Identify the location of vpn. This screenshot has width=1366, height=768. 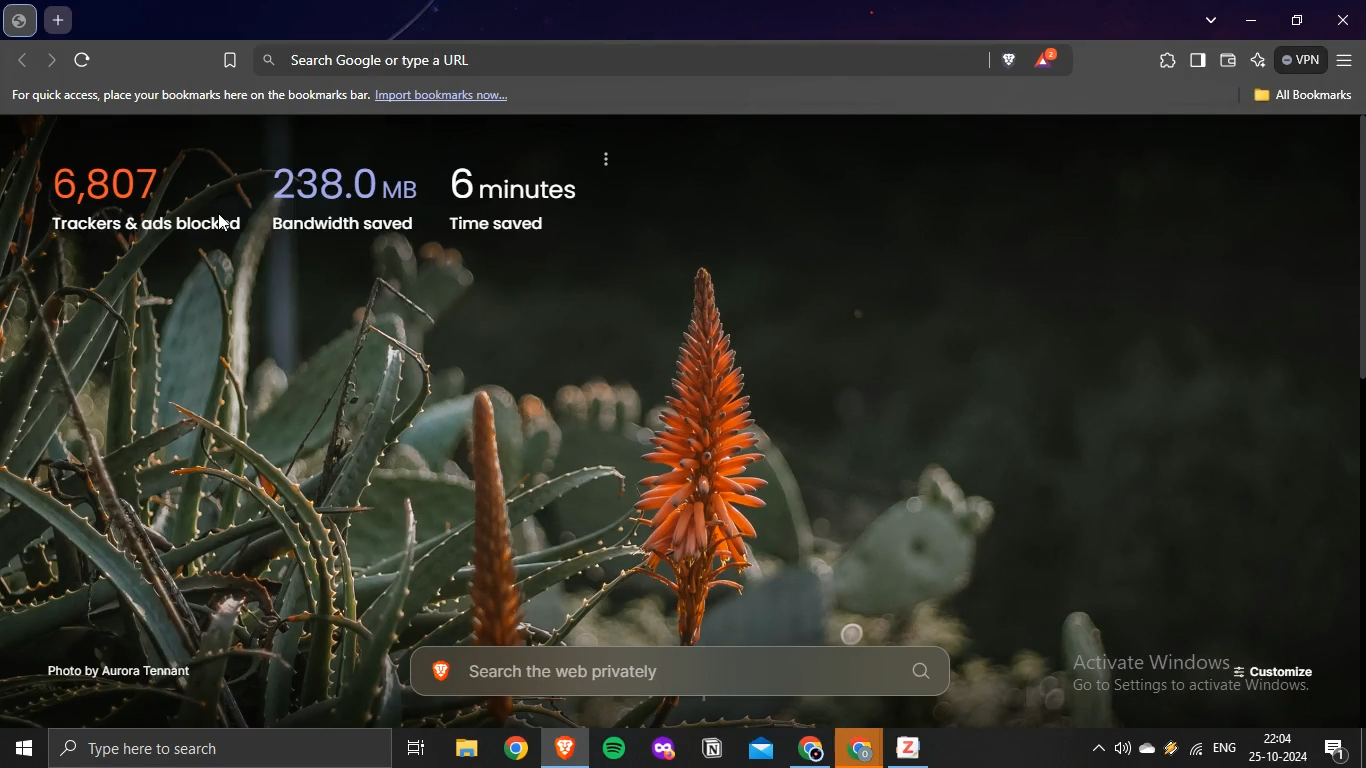
(1301, 59).